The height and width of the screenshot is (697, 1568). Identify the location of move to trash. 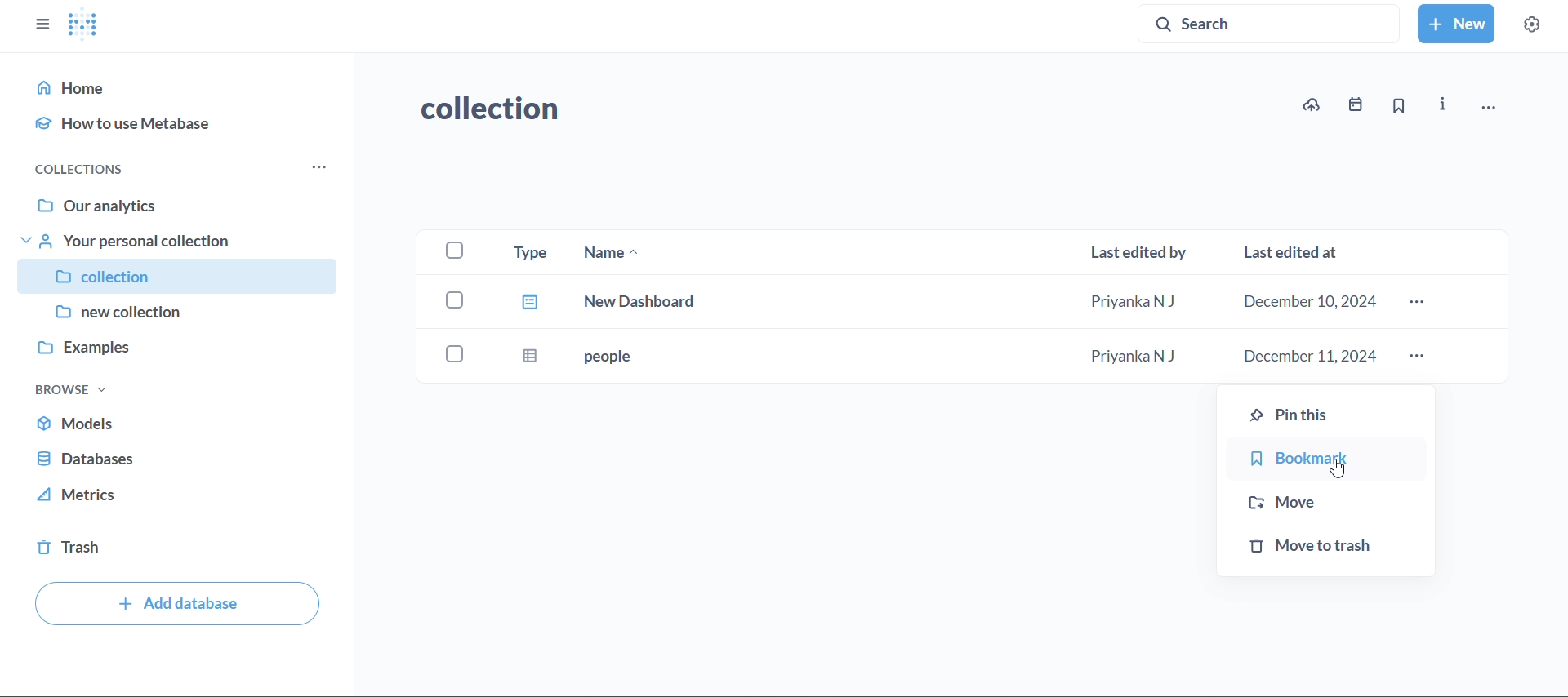
(1326, 550).